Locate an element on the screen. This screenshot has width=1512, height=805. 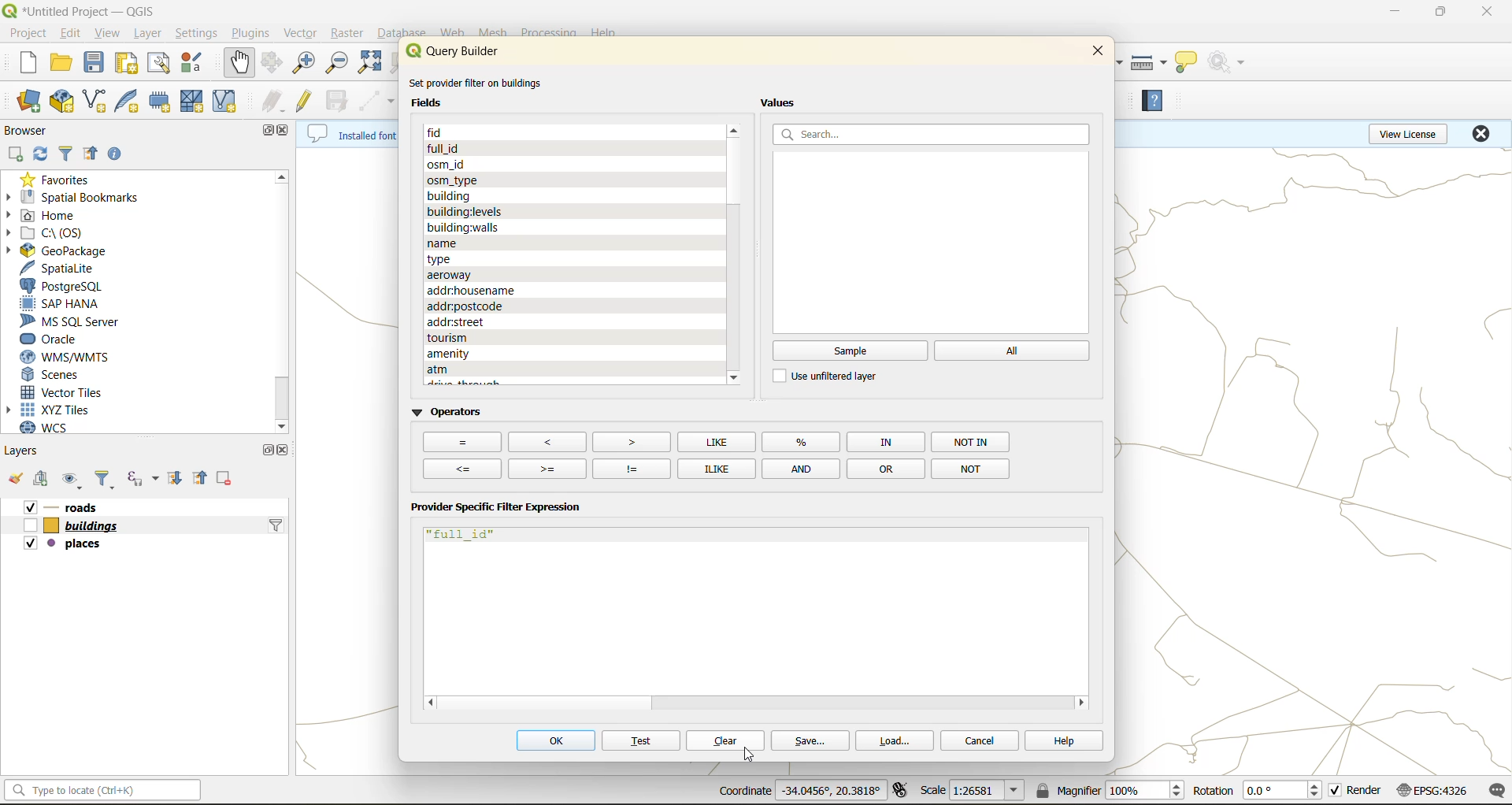
no action is located at coordinates (1229, 63).